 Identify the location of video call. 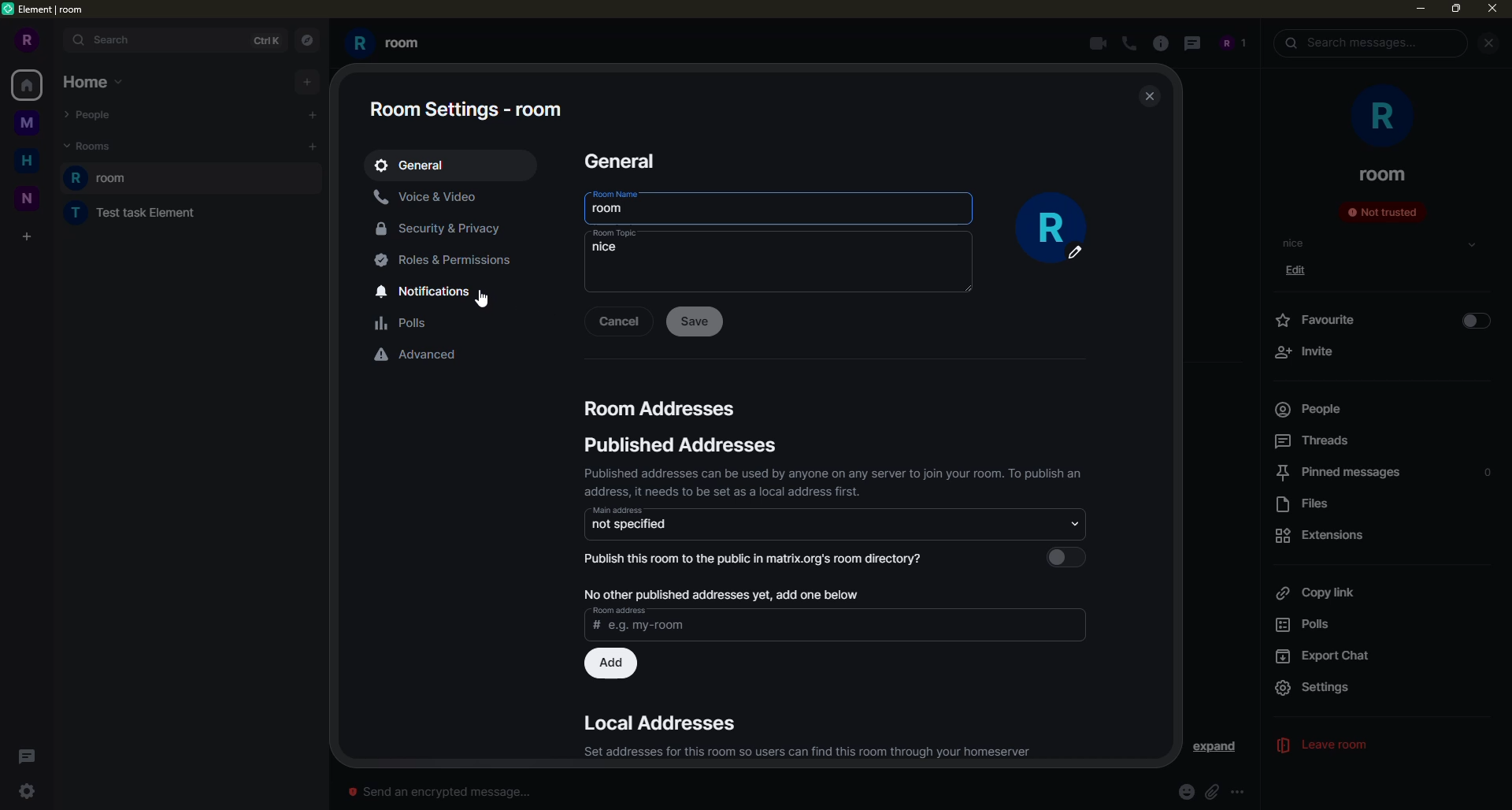
(1094, 43).